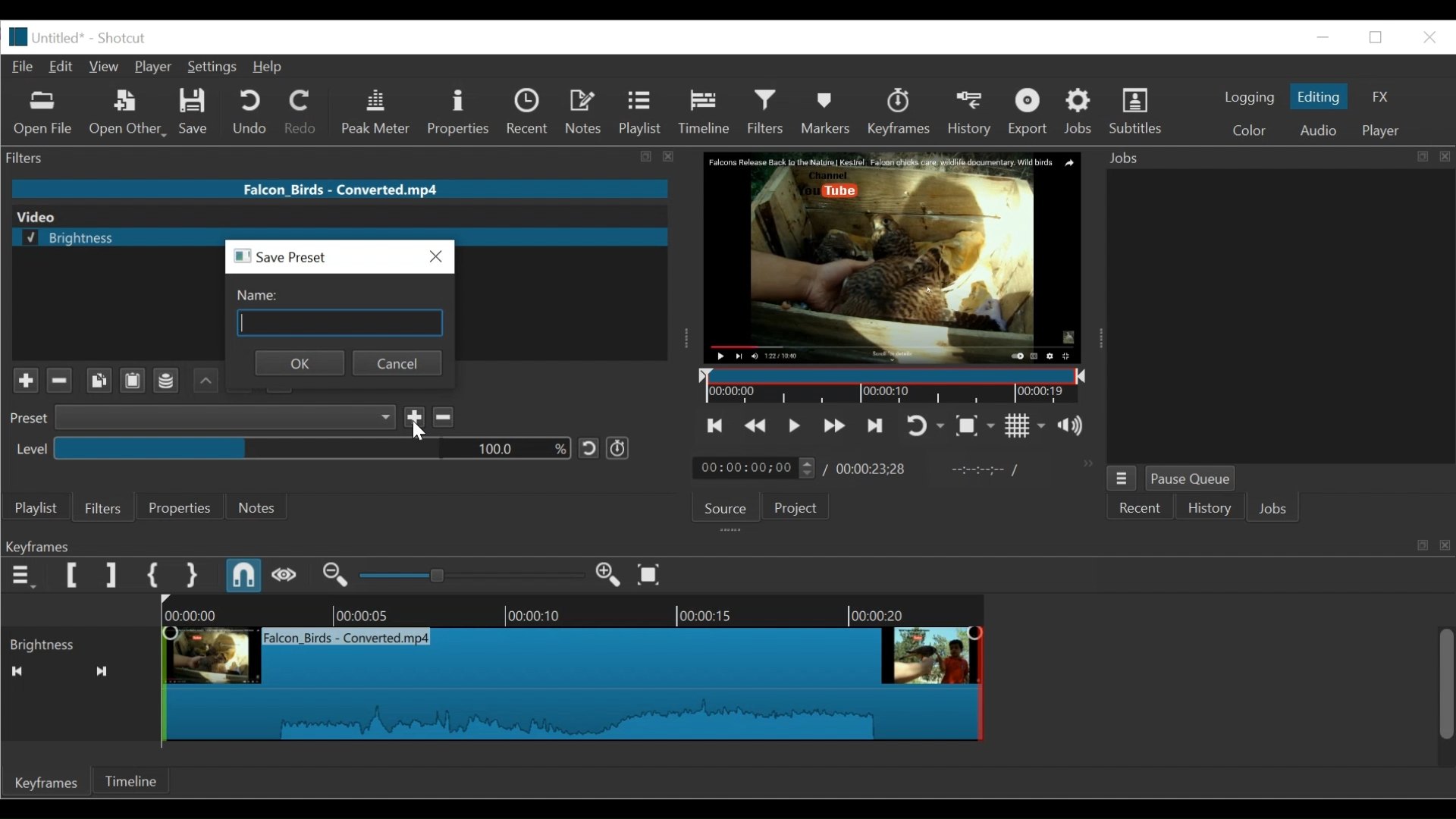  Describe the element at coordinates (766, 114) in the screenshot. I see `Filters` at that location.